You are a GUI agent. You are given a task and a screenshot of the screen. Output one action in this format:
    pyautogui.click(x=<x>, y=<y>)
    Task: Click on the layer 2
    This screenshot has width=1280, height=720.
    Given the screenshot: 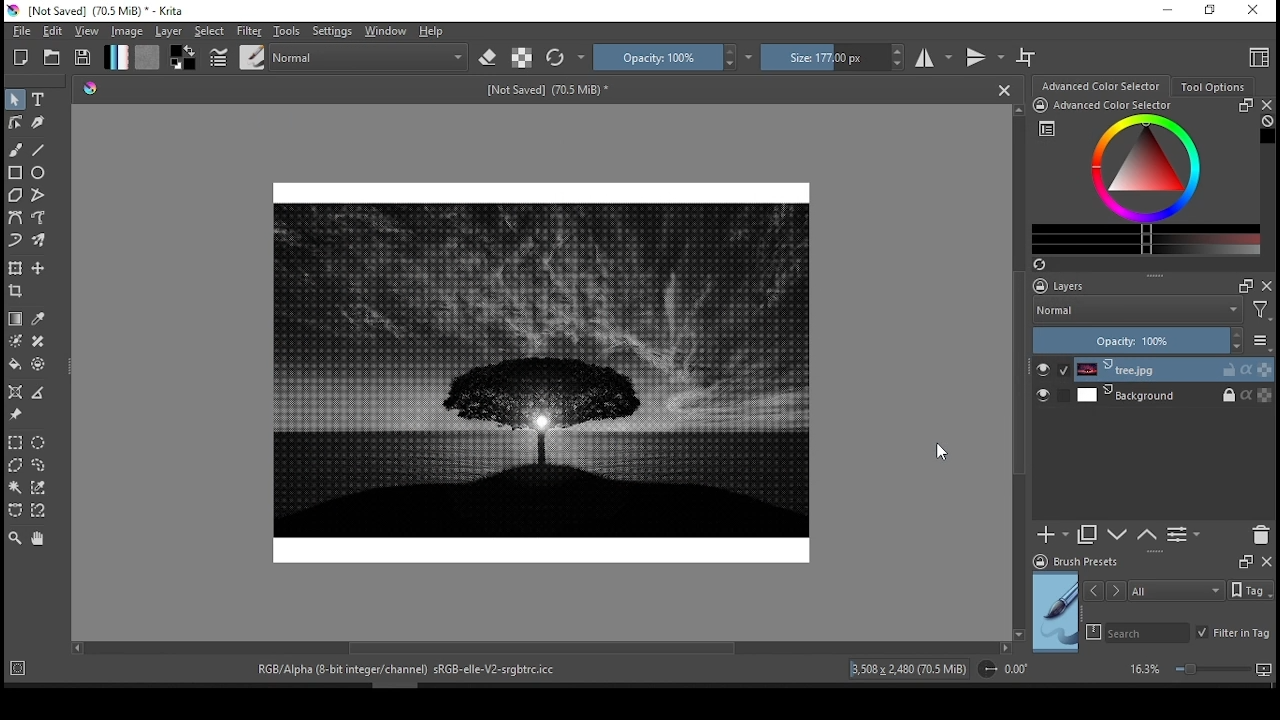 What is the action you would take?
    pyautogui.click(x=1172, y=396)
    